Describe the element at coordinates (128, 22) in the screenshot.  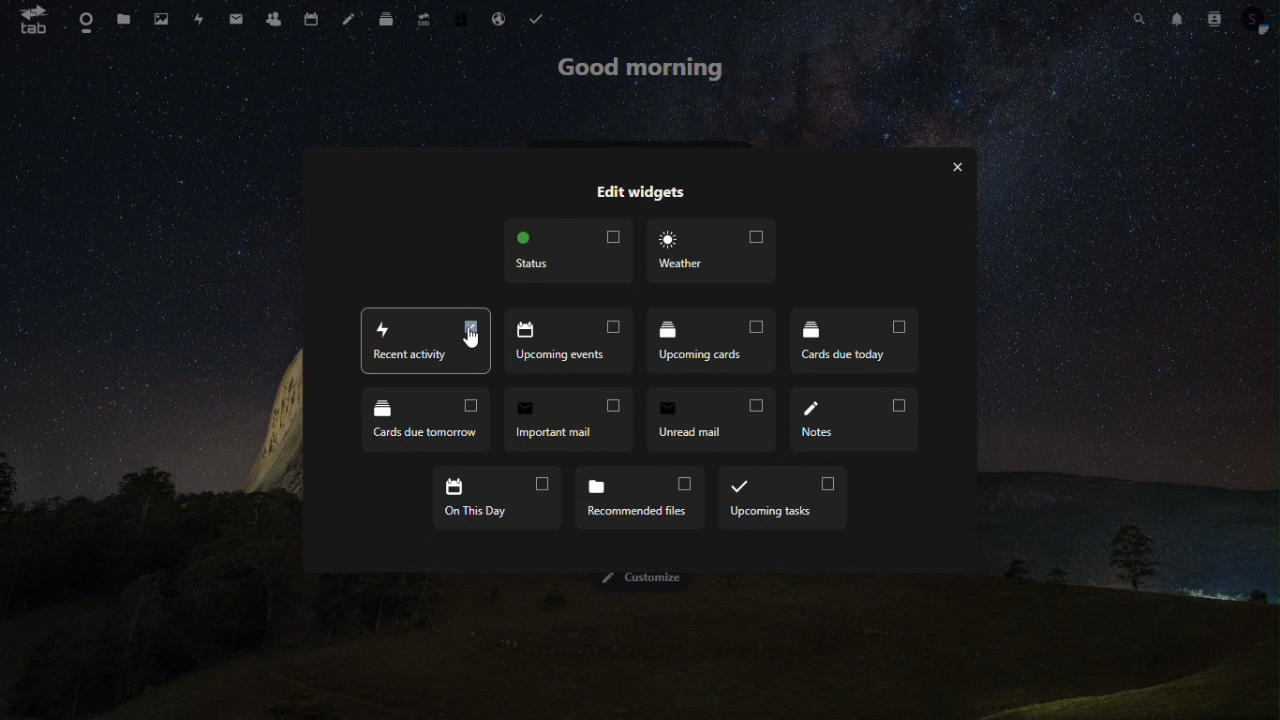
I see `files` at that location.